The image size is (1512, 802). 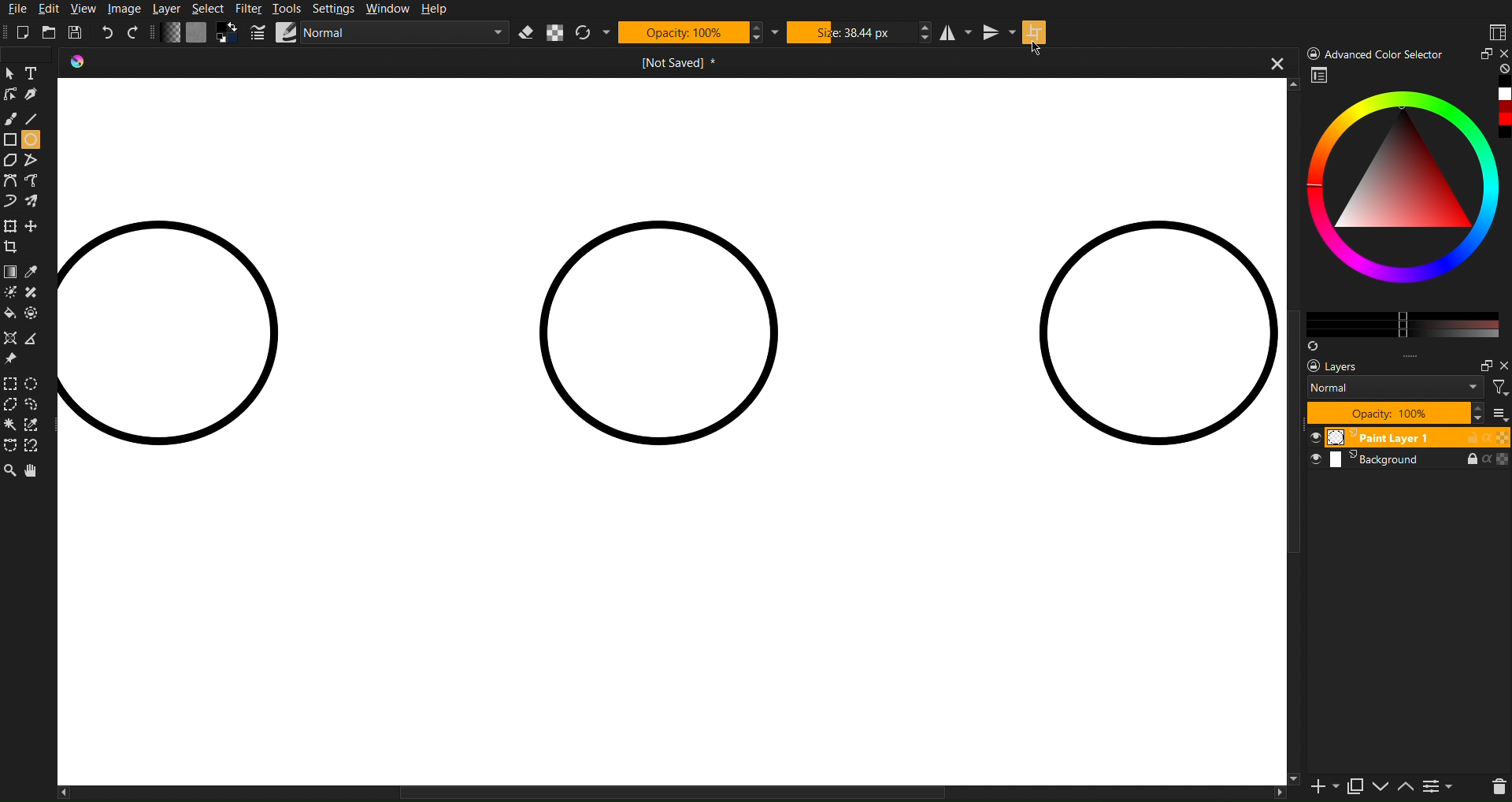 I want to click on Redo, so click(x=135, y=32).